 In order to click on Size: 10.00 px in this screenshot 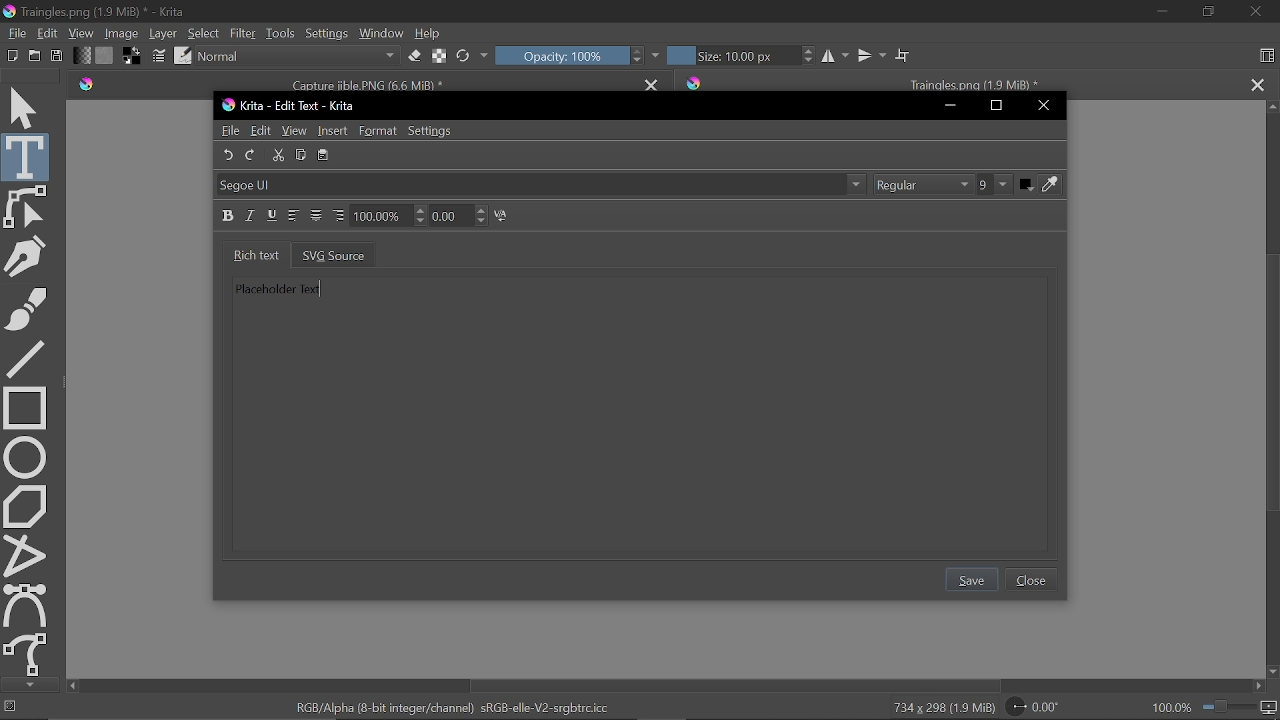, I will do `click(729, 56)`.